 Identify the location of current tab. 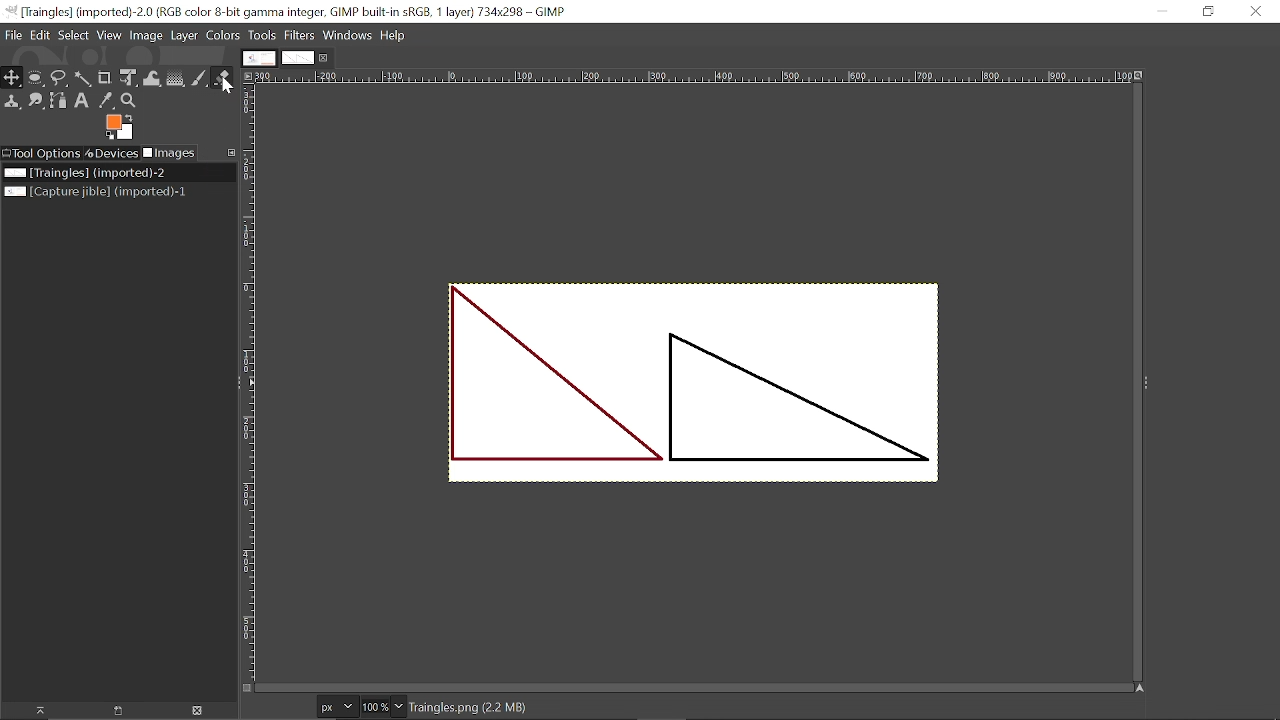
(298, 57).